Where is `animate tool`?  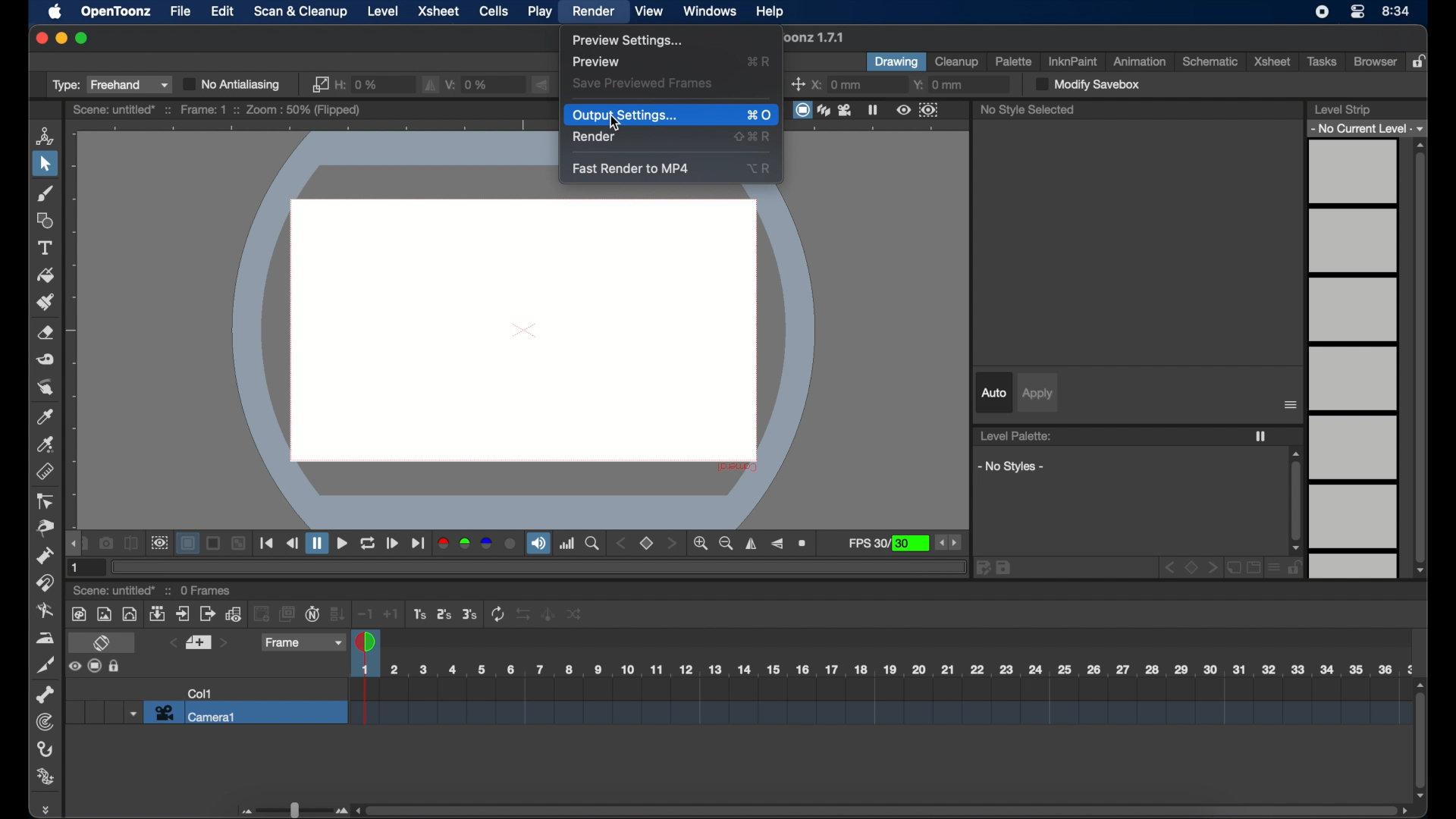 animate tool is located at coordinates (45, 135).